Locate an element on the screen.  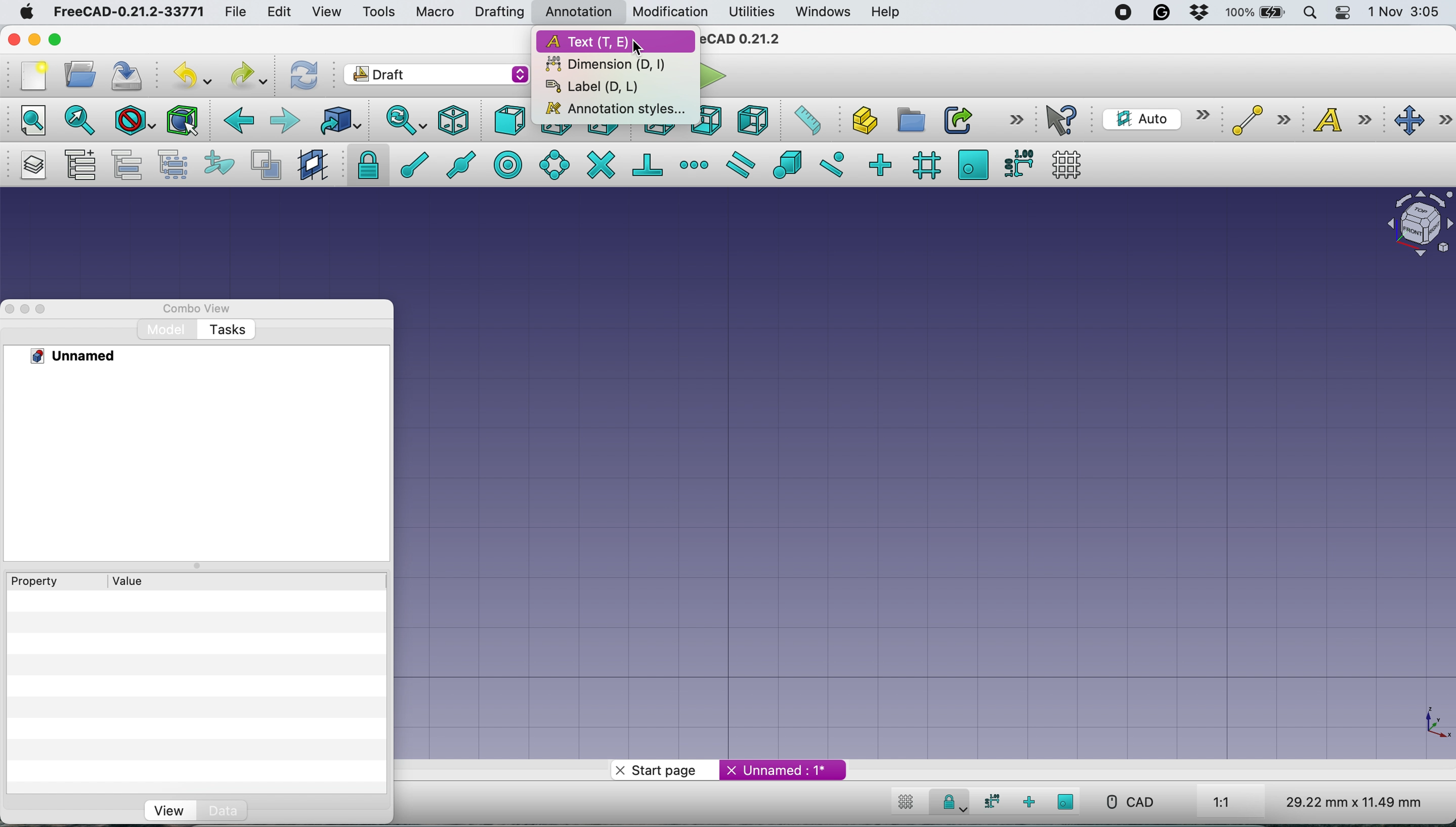
front is located at coordinates (506, 119).